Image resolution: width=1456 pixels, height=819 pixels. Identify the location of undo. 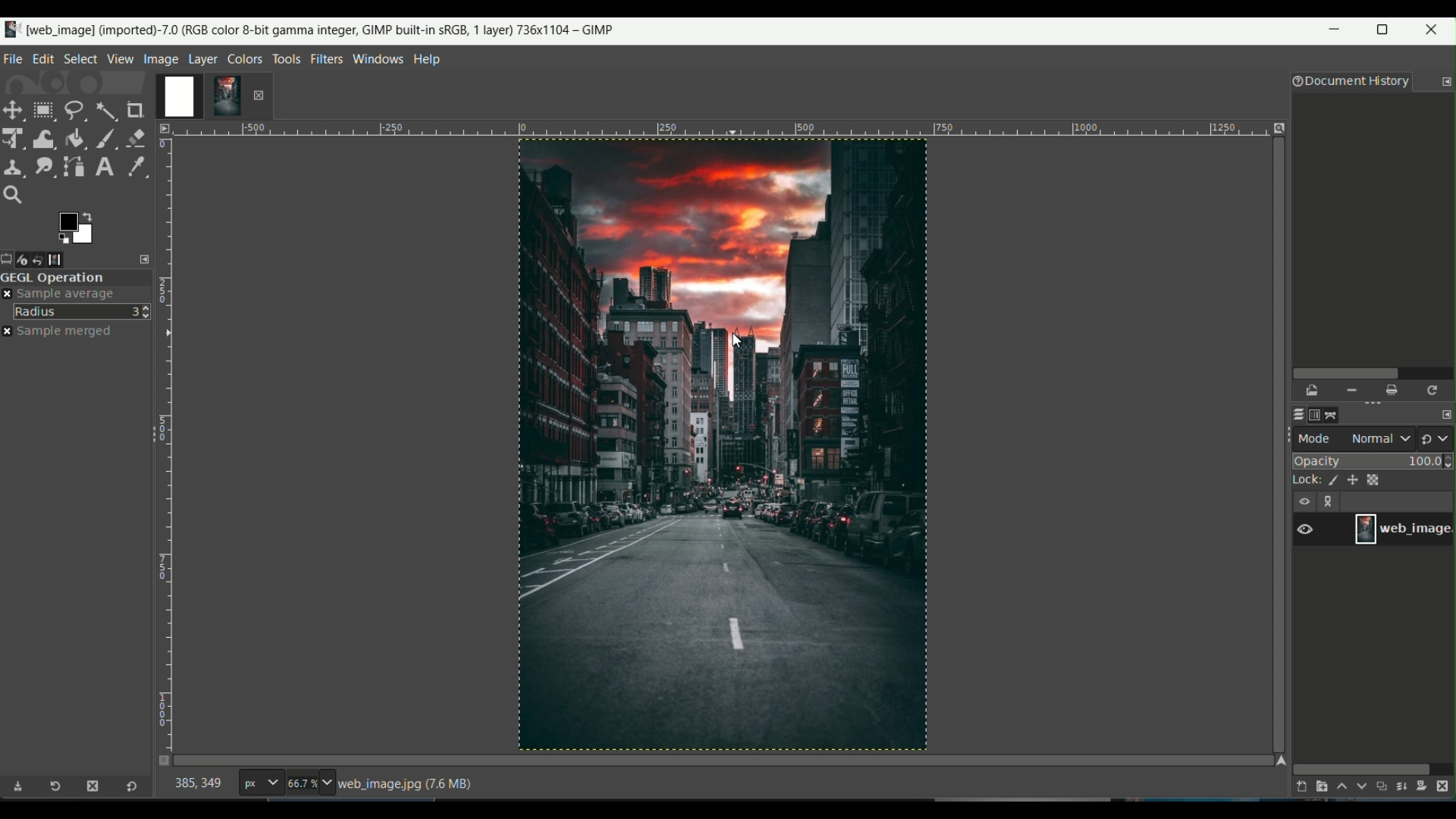
(47, 259).